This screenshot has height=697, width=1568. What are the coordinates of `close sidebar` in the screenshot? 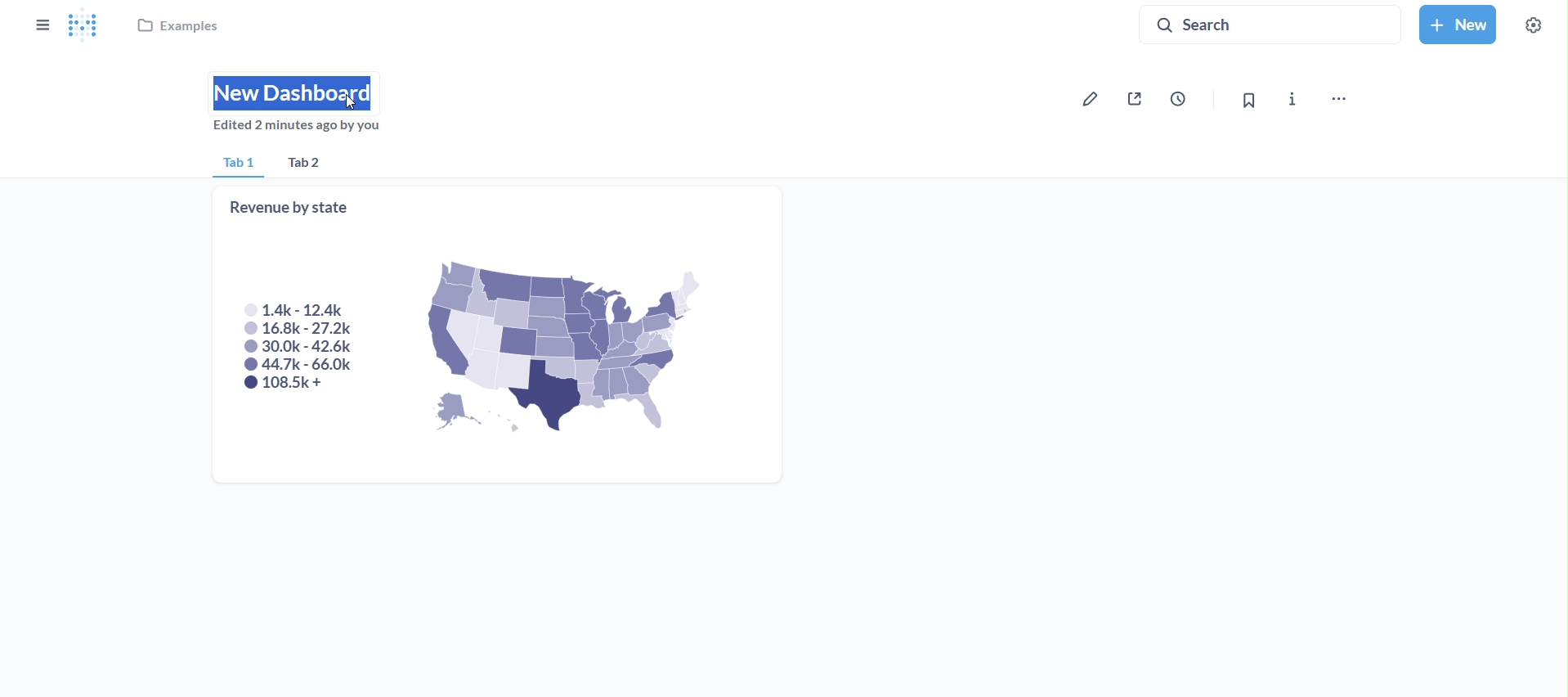 It's located at (41, 25).